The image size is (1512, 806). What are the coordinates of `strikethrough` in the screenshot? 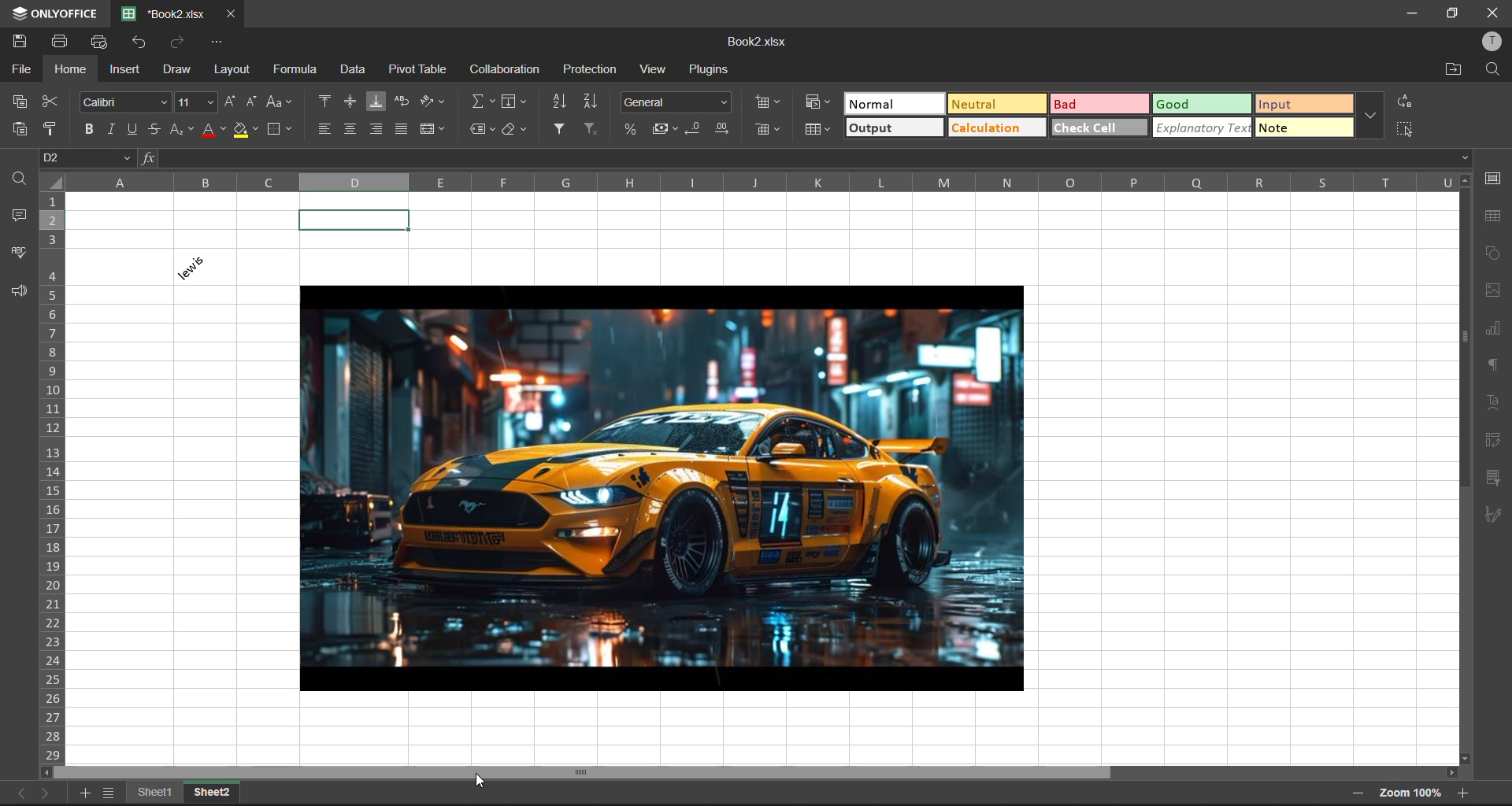 It's located at (154, 129).